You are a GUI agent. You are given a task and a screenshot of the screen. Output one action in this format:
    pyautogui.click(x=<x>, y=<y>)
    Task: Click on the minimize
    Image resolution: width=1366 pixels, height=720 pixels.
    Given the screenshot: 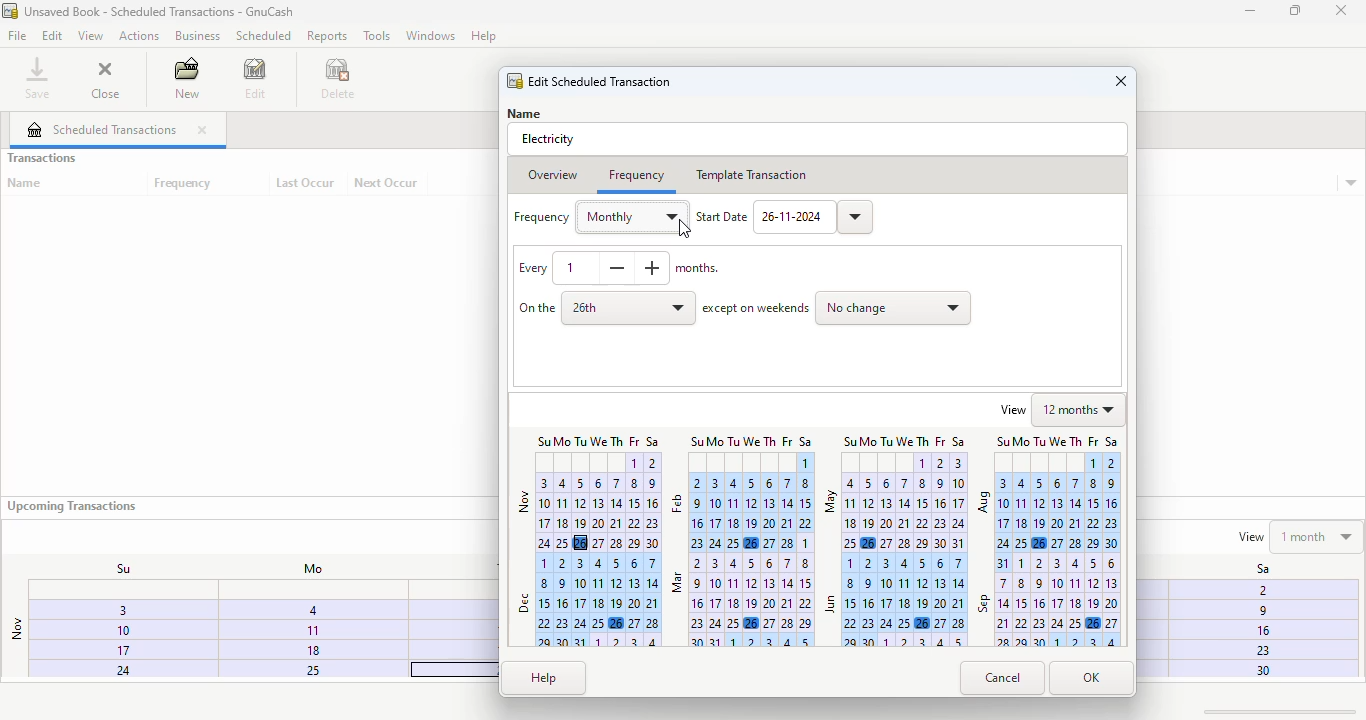 What is the action you would take?
    pyautogui.click(x=1250, y=11)
    